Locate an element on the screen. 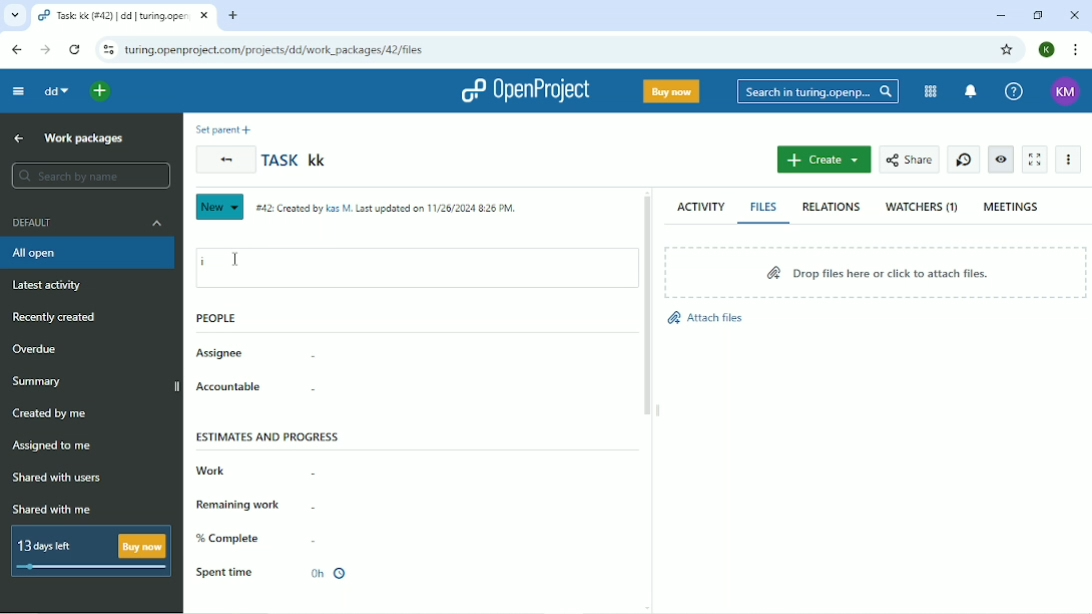 The height and width of the screenshot is (614, 1092). Relations is located at coordinates (830, 206).